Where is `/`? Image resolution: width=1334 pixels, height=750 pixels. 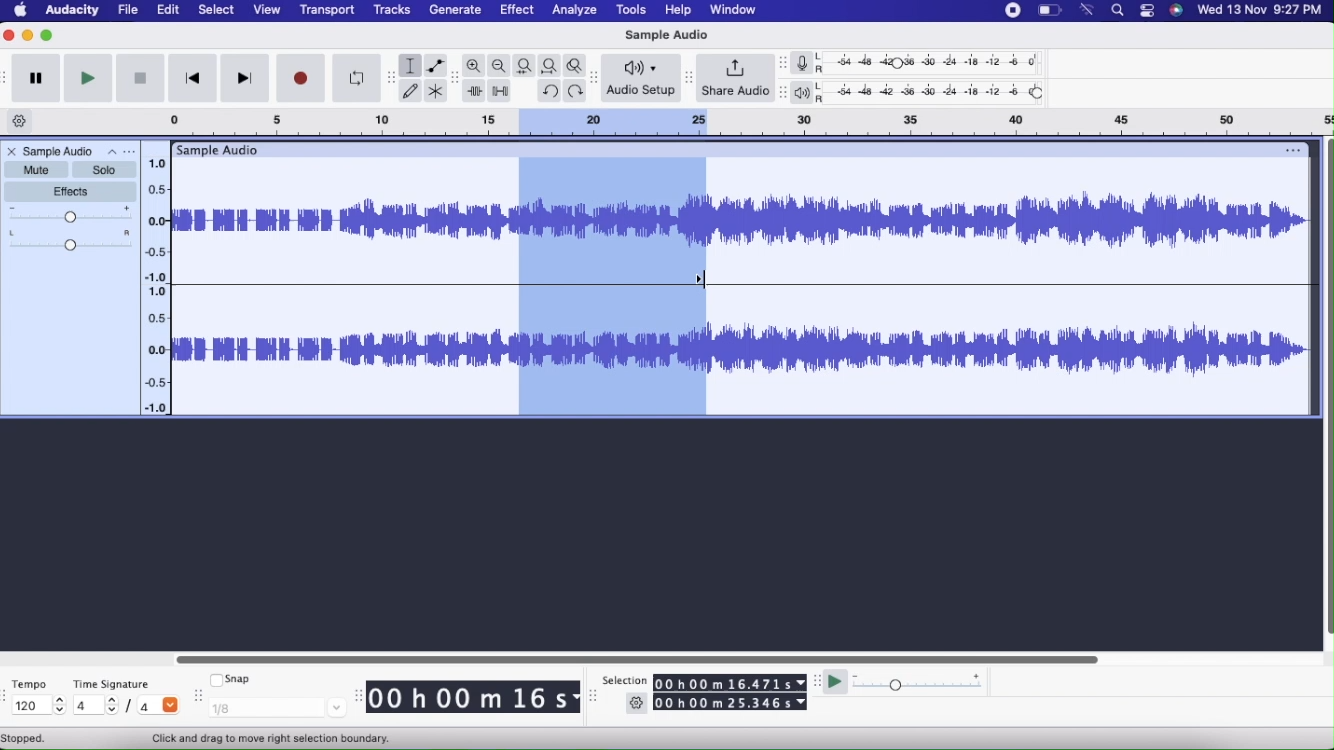
/ is located at coordinates (132, 709).